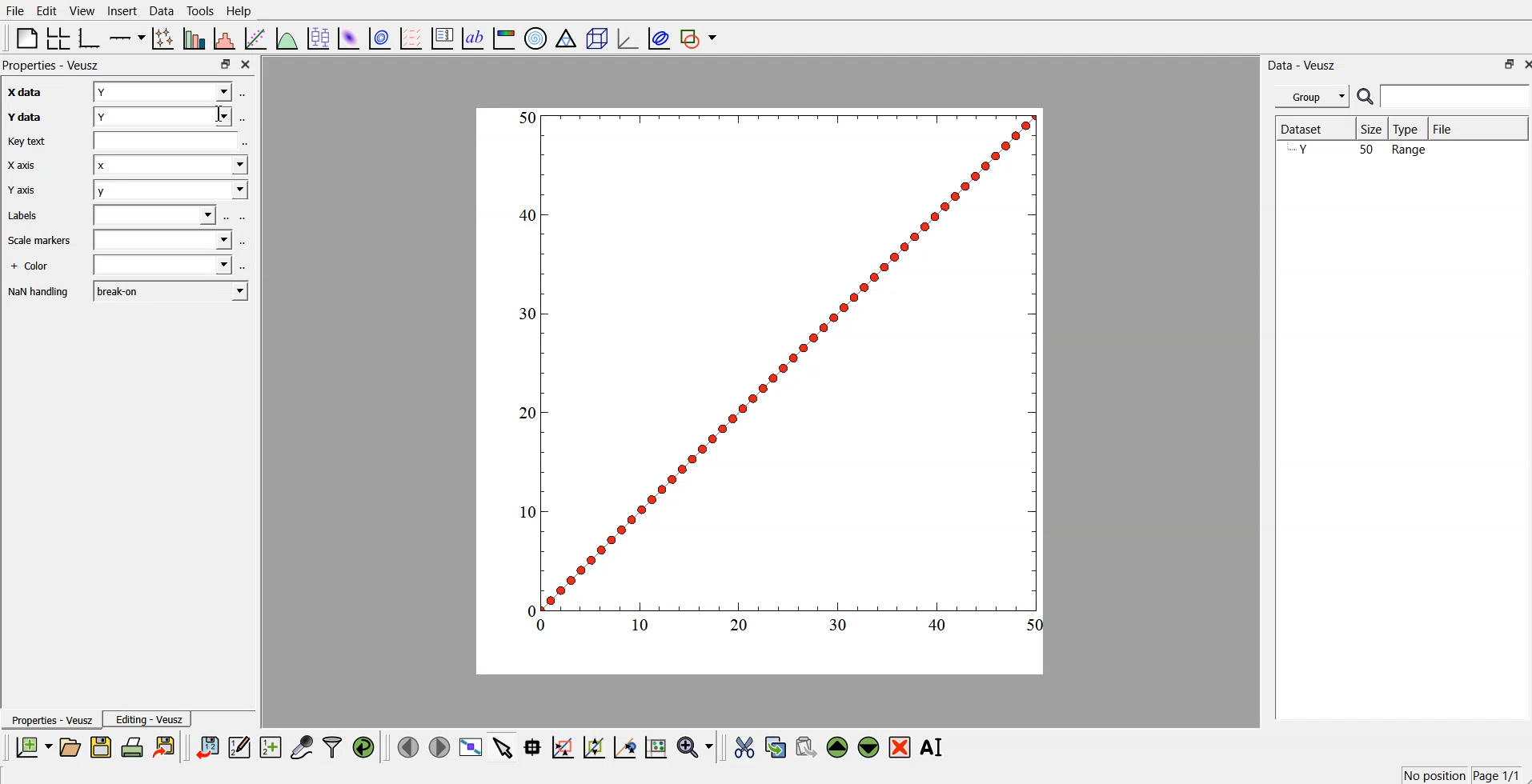 The height and width of the screenshot is (784, 1532). Describe the element at coordinates (164, 266) in the screenshot. I see `+ Color field` at that location.